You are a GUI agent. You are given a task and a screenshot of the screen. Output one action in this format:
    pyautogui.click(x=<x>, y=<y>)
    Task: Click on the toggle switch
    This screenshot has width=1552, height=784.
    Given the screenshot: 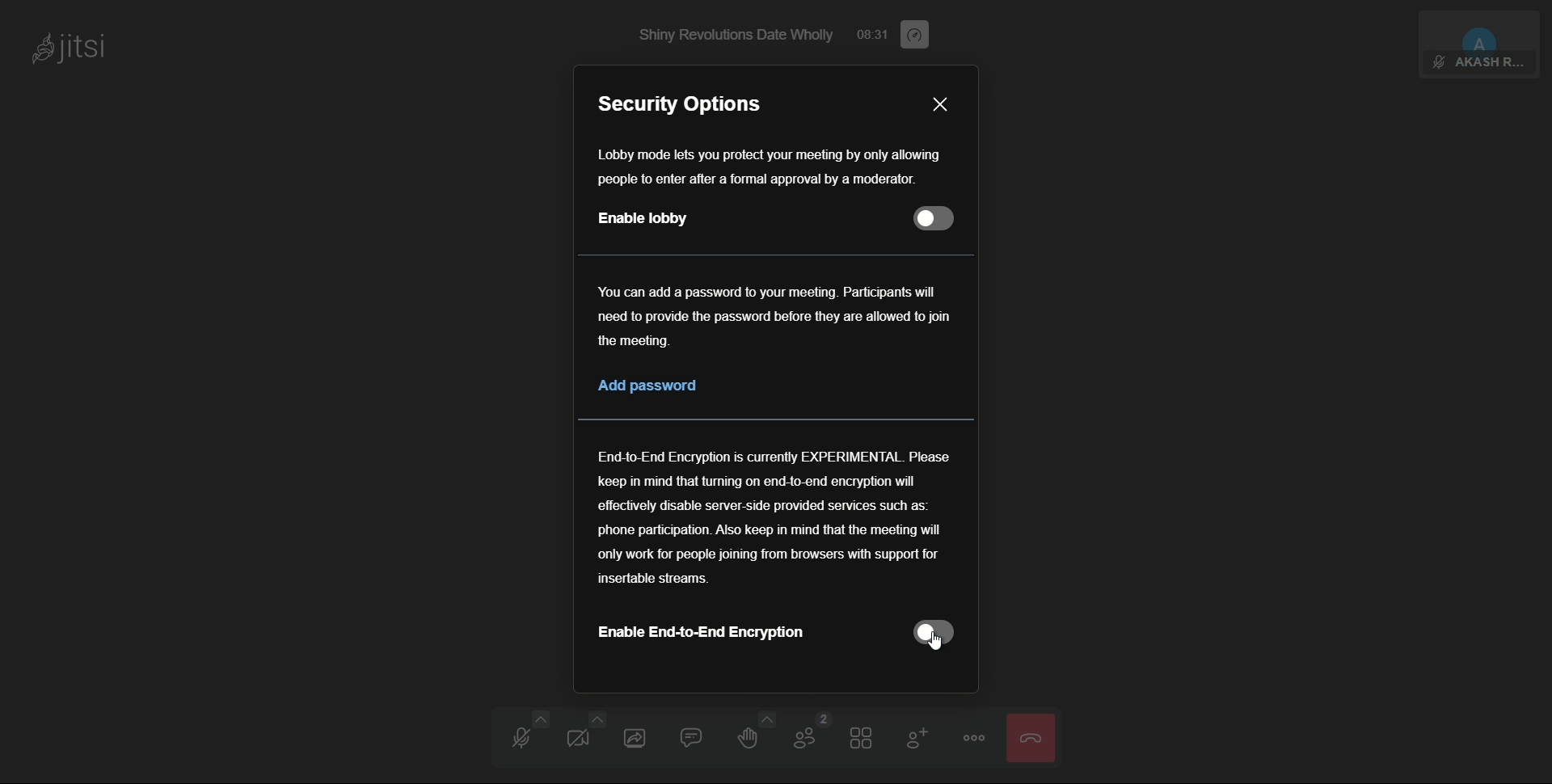 What is the action you would take?
    pyautogui.click(x=932, y=633)
    